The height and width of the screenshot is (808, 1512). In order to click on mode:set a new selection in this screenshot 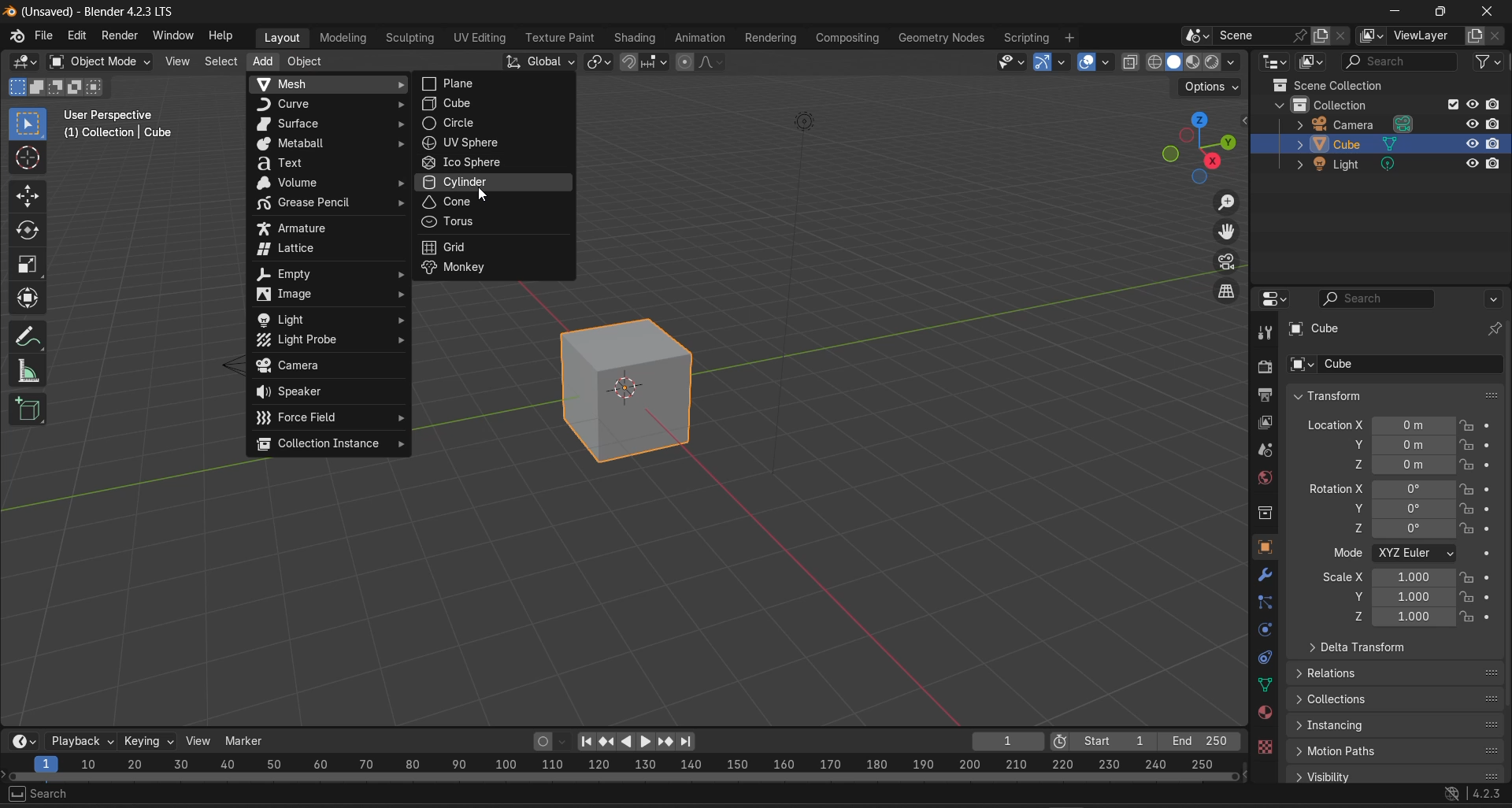, I will do `click(16, 87)`.